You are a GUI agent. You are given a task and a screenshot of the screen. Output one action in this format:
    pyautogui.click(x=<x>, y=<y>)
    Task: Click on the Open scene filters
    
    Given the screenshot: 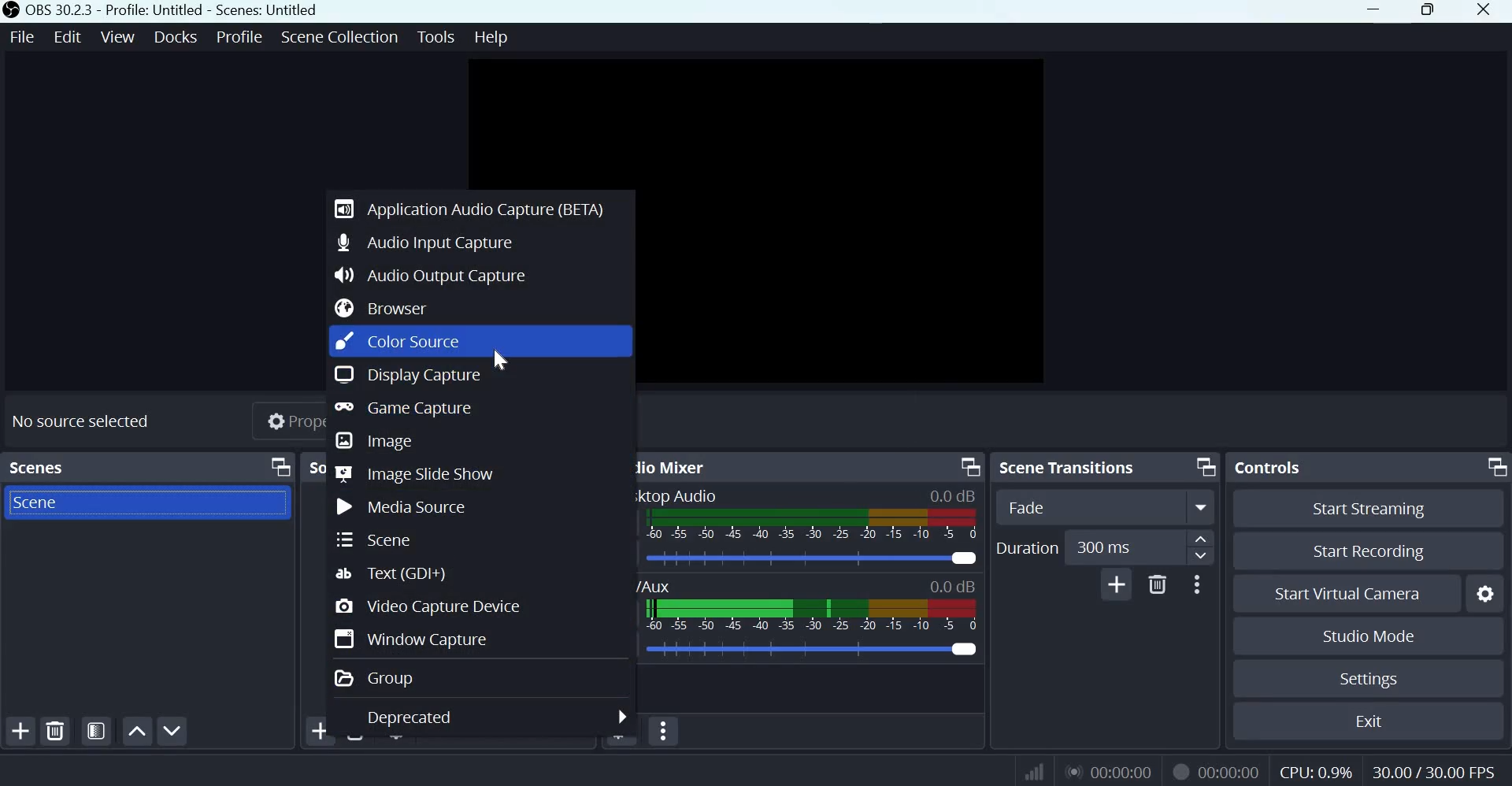 What is the action you would take?
    pyautogui.click(x=96, y=732)
    